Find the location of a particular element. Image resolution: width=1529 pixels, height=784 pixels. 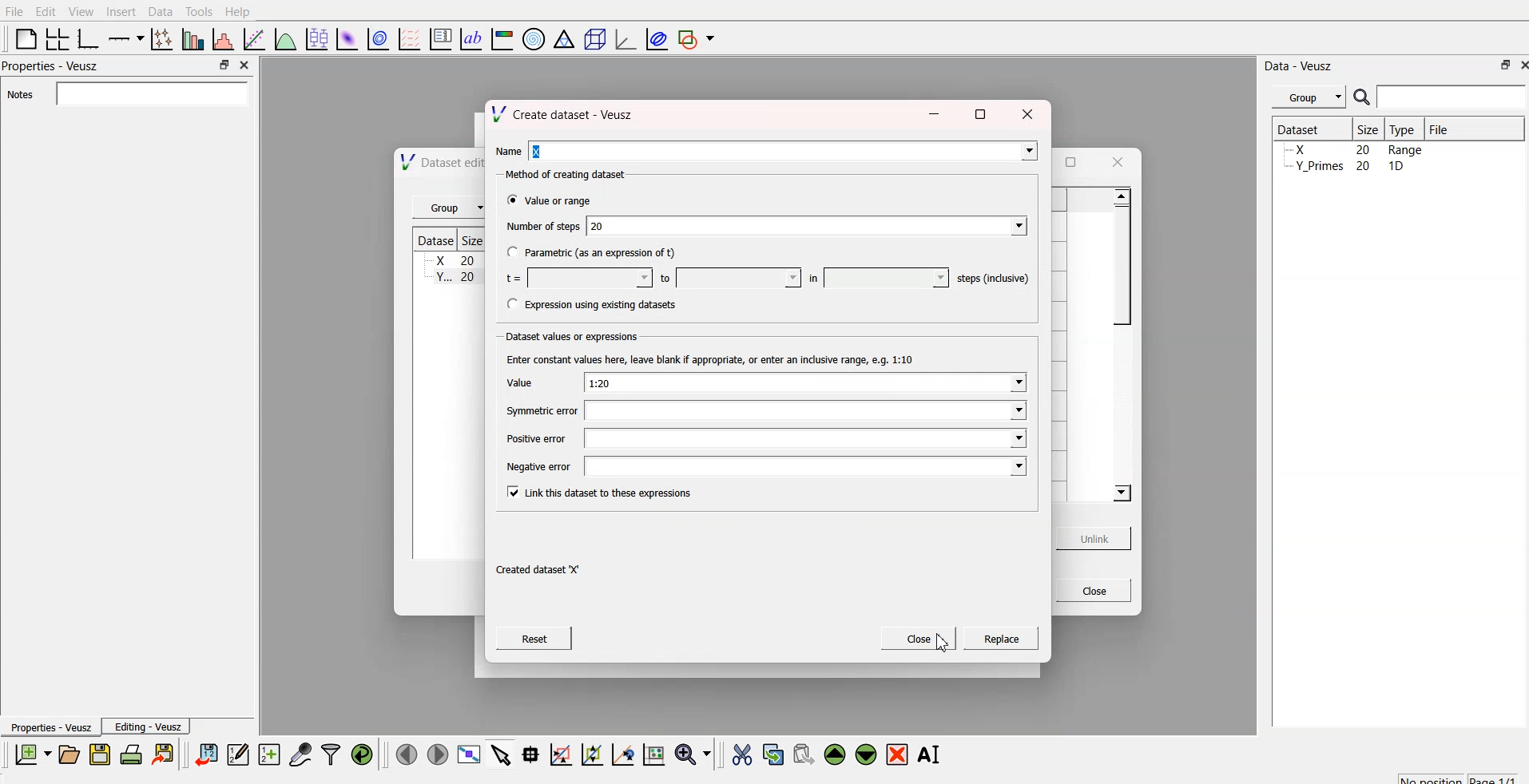

save a document is located at coordinates (100, 755).